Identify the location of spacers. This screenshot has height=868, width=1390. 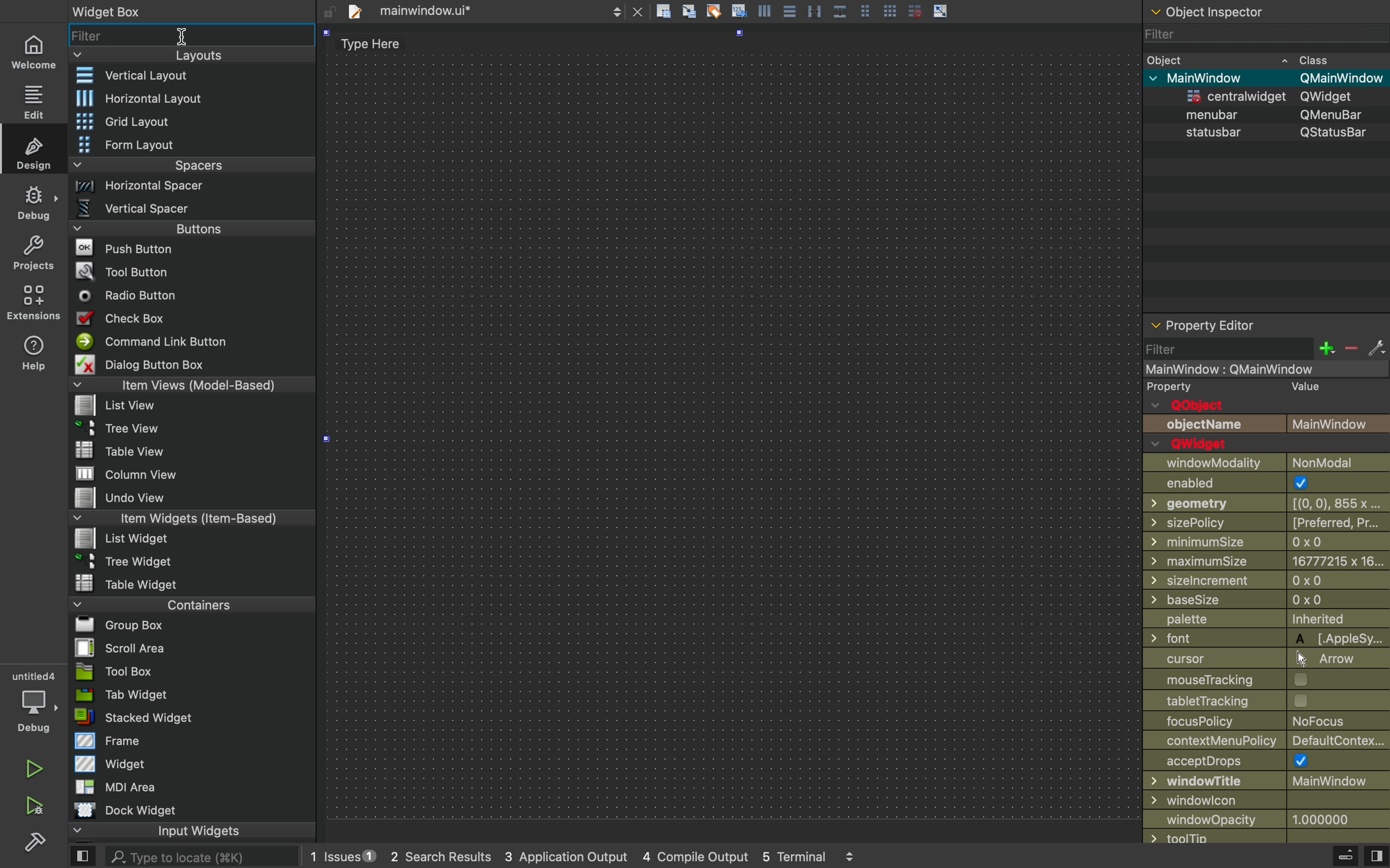
(189, 164).